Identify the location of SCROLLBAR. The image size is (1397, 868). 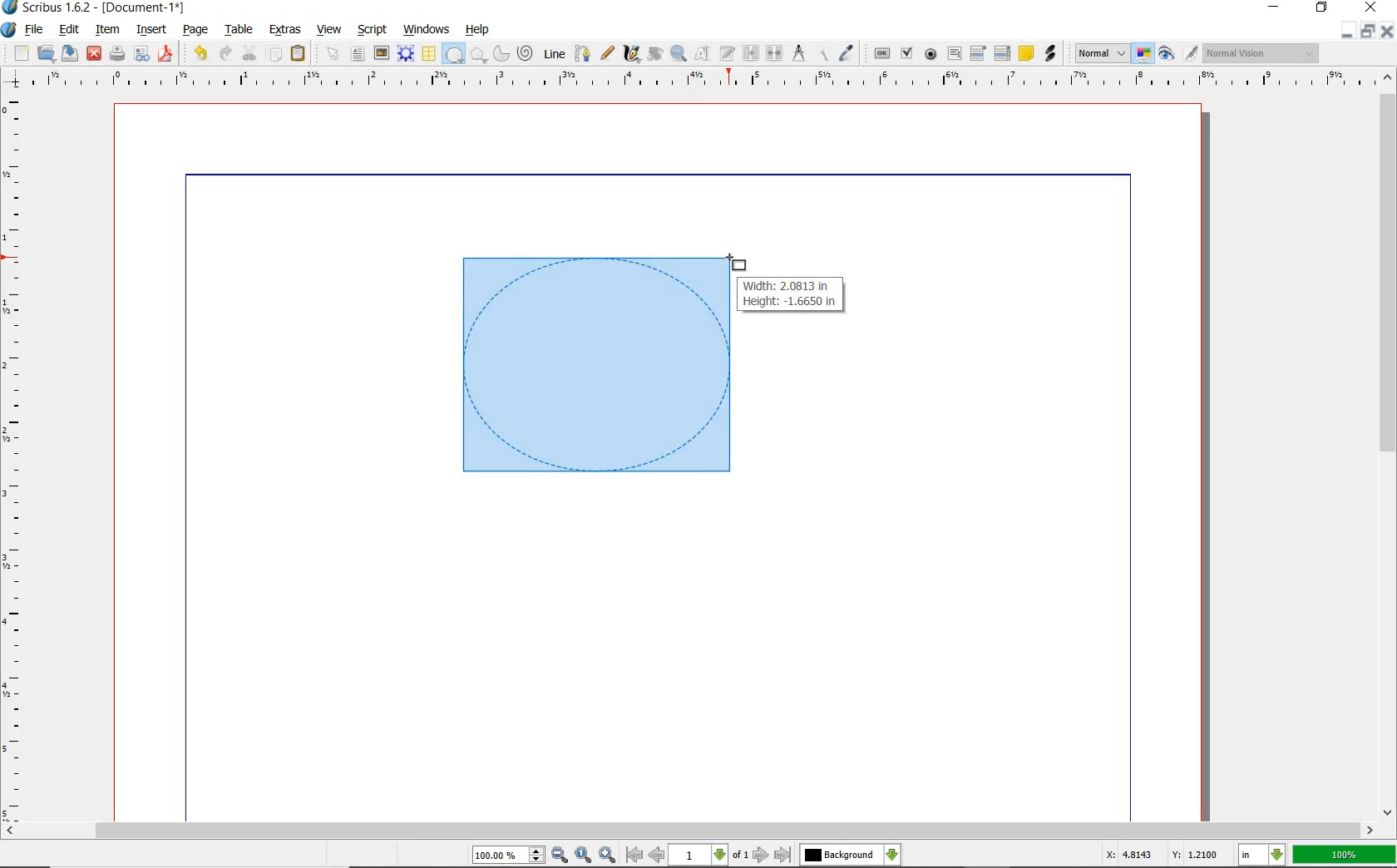
(689, 831).